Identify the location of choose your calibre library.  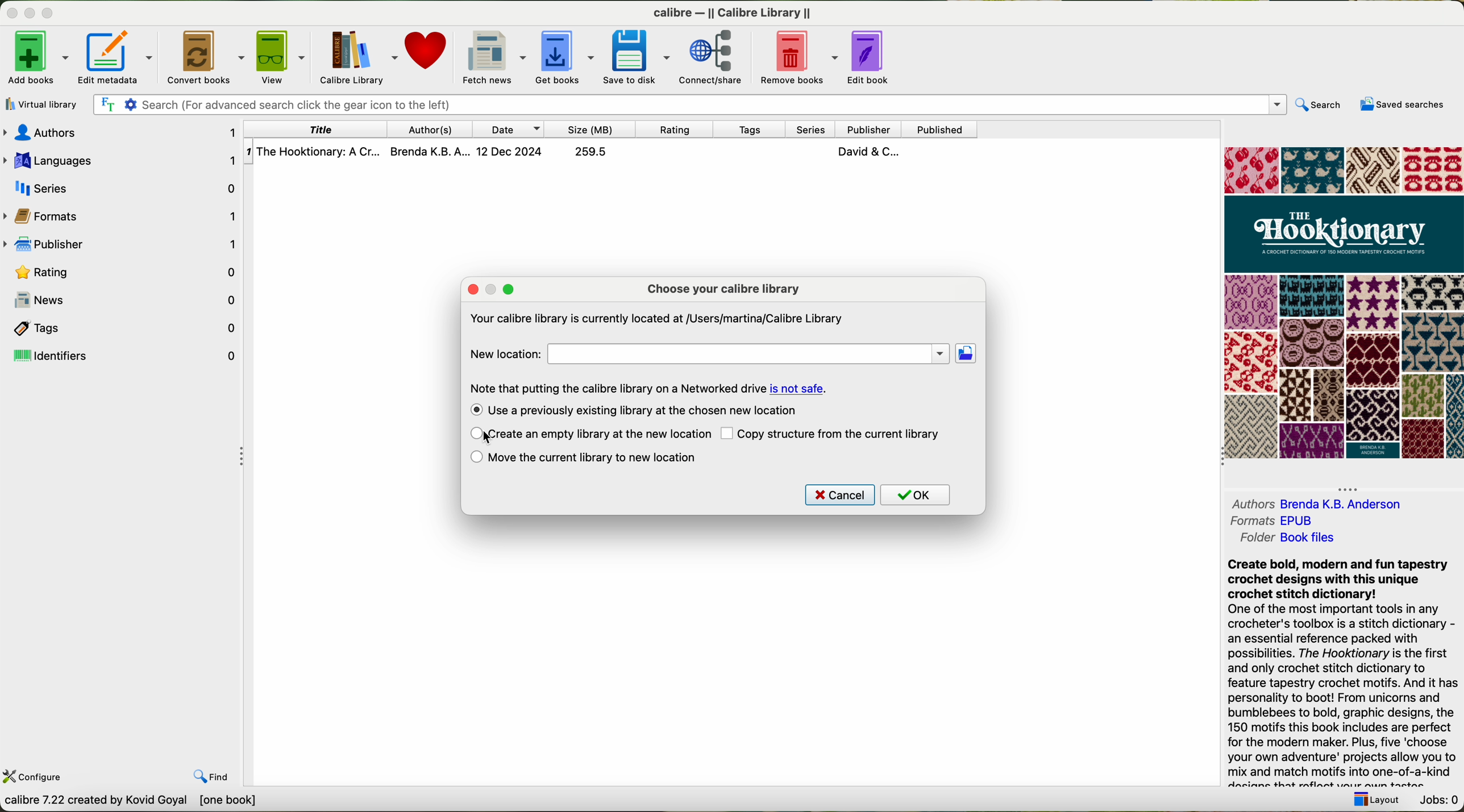
(722, 290).